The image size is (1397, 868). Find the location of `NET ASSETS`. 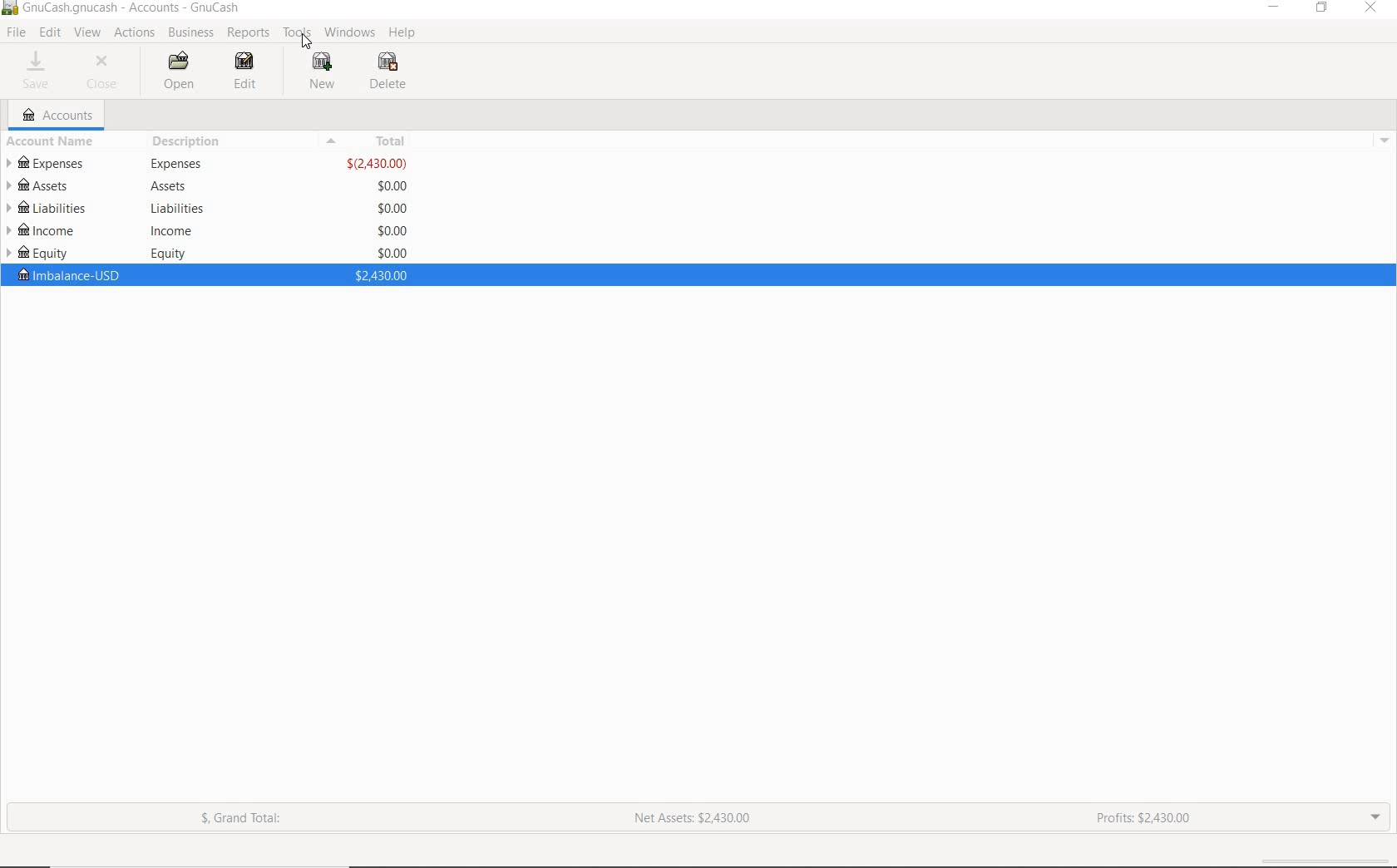

NET ASSETS is located at coordinates (691, 818).